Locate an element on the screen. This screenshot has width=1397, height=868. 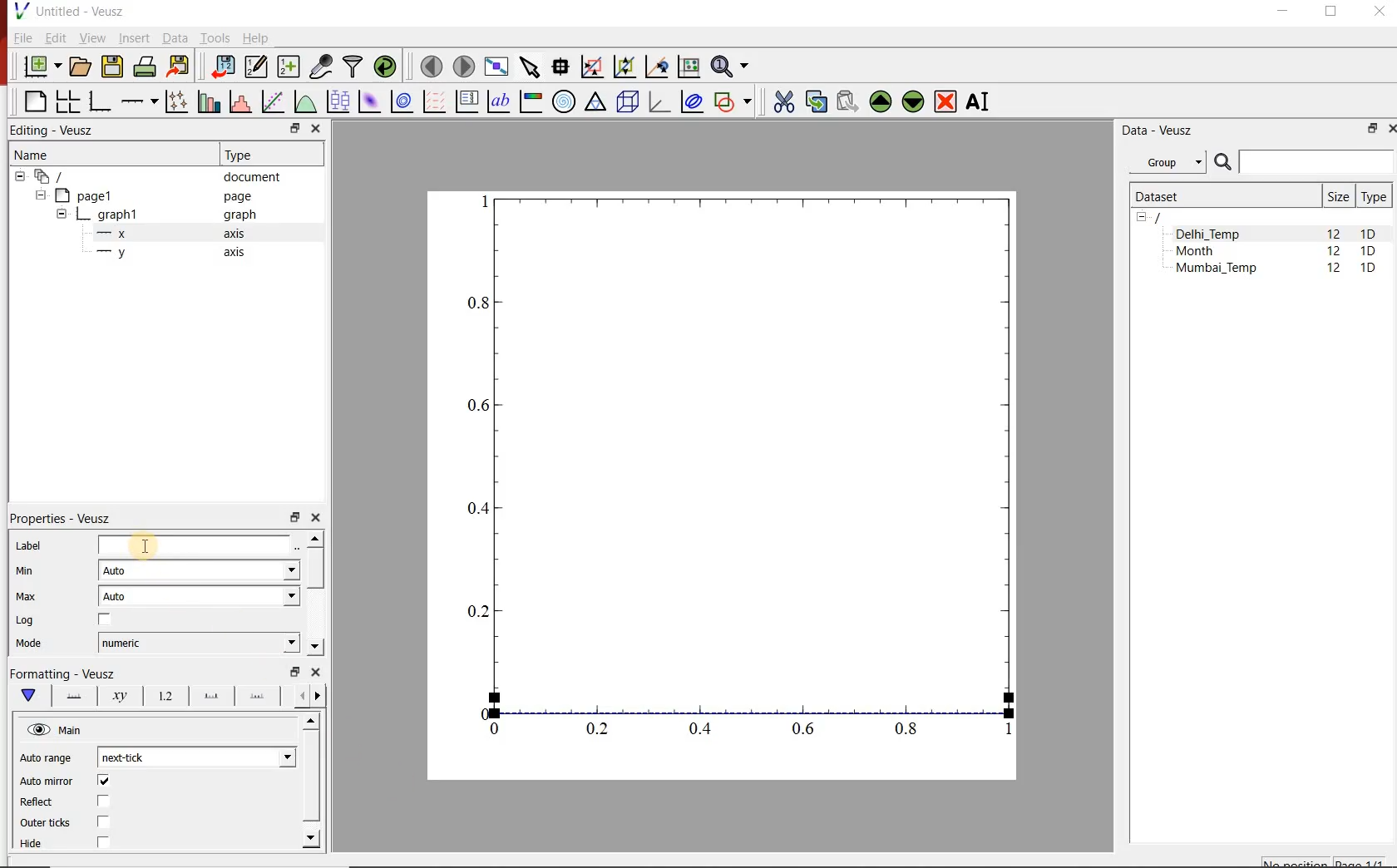
1D is located at coordinates (1368, 269).